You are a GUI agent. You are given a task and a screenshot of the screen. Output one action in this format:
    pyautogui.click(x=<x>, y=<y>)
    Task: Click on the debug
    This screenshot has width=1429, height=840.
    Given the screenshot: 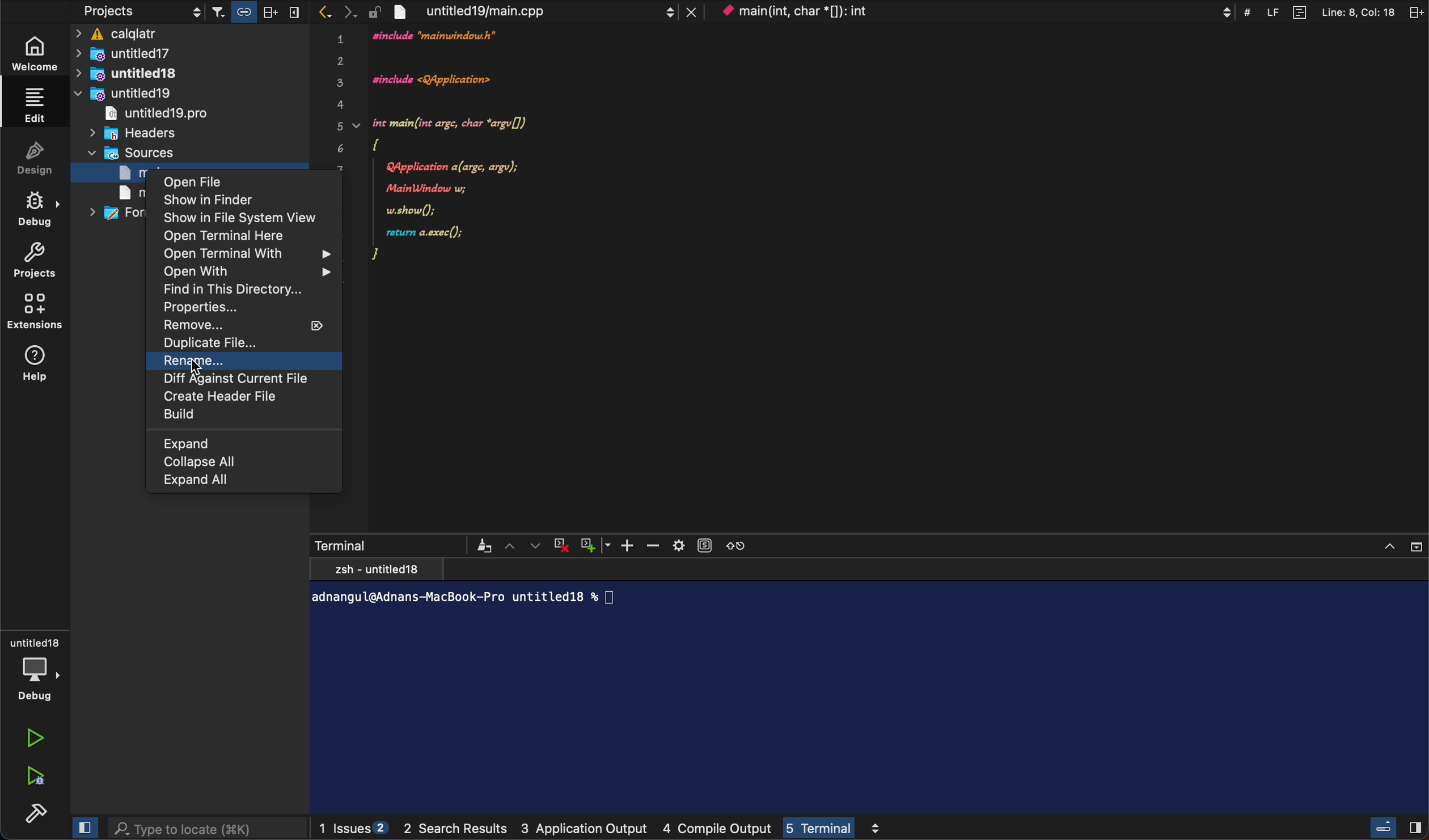 What is the action you would take?
    pyautogui.click(x=36, y=666)
    